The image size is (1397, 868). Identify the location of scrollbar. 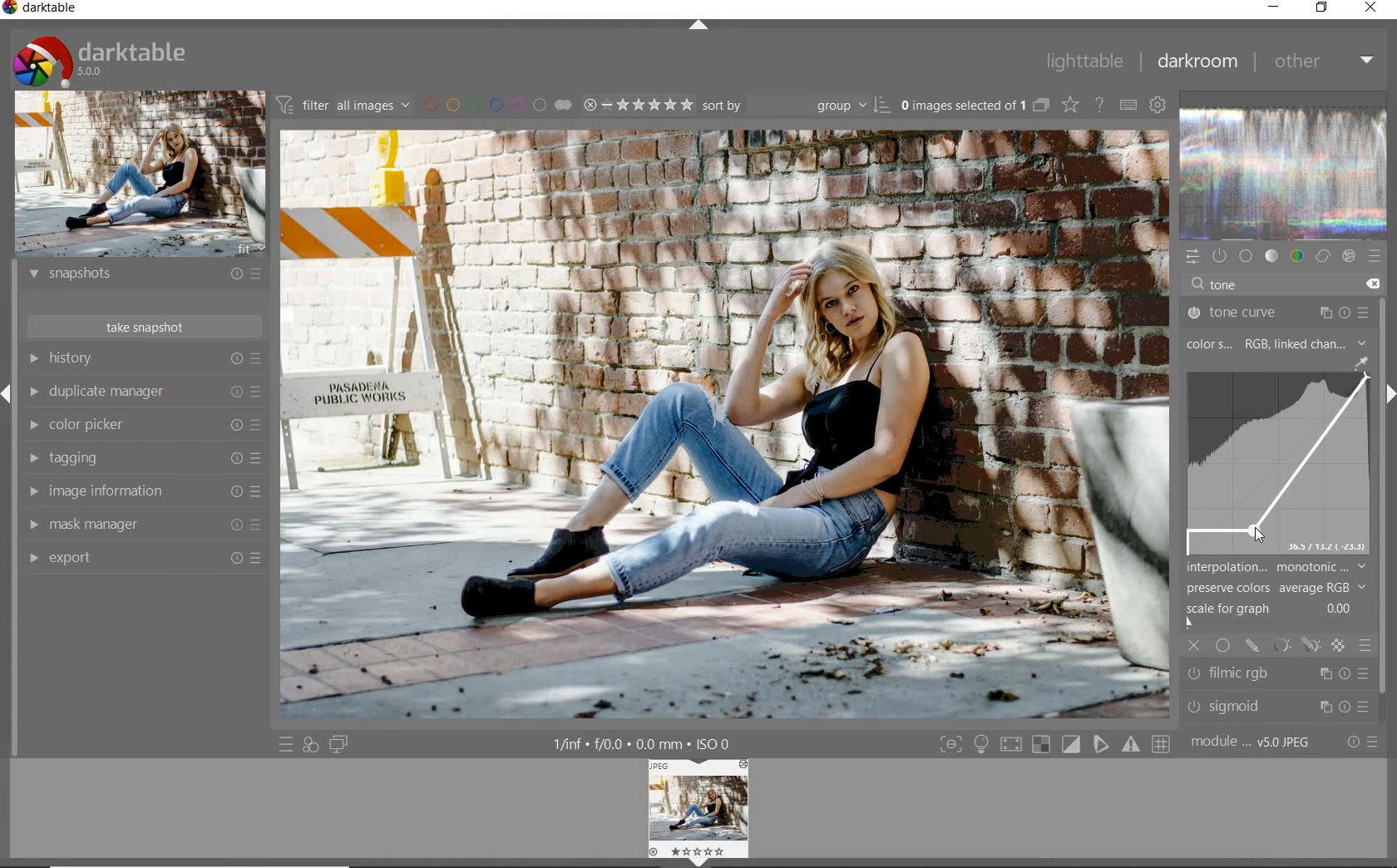
(1387, 498).